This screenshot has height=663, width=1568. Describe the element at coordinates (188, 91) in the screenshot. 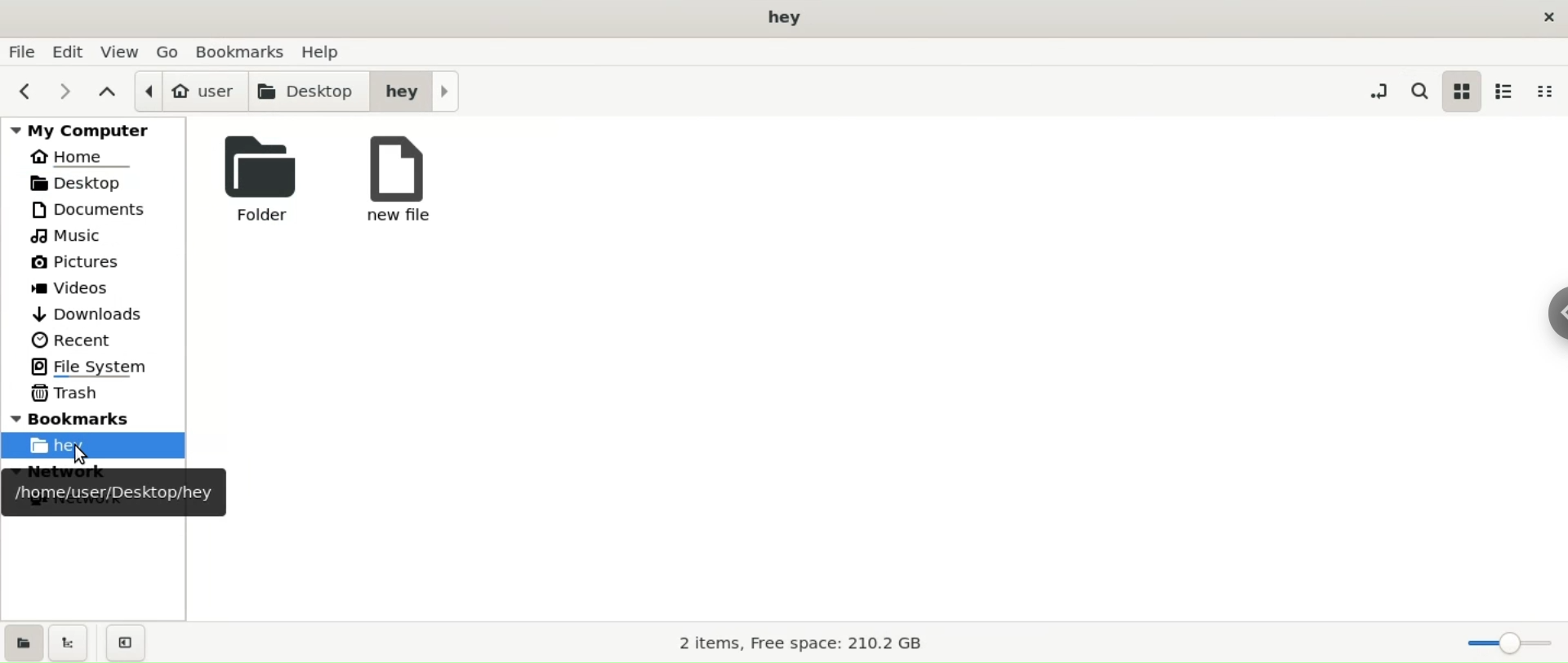

I see `user` at that location.